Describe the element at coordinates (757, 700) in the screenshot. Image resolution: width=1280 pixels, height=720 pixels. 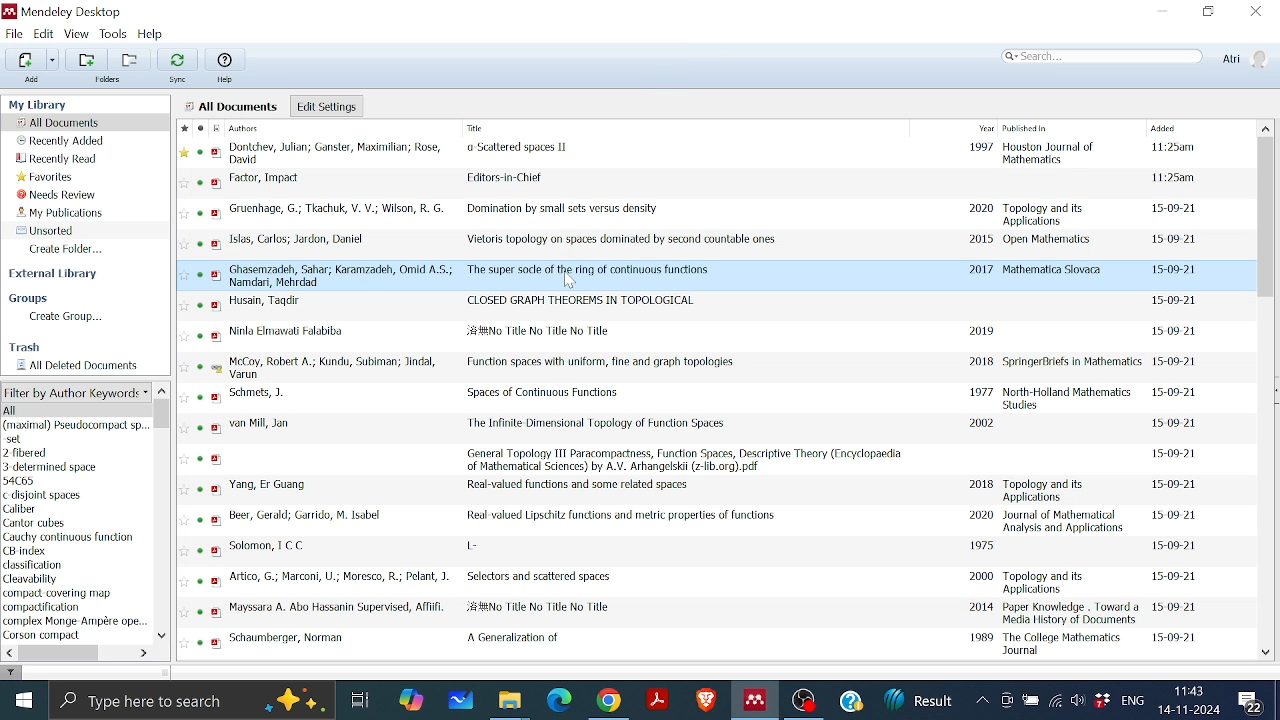
I see `Mendeley` at that location.